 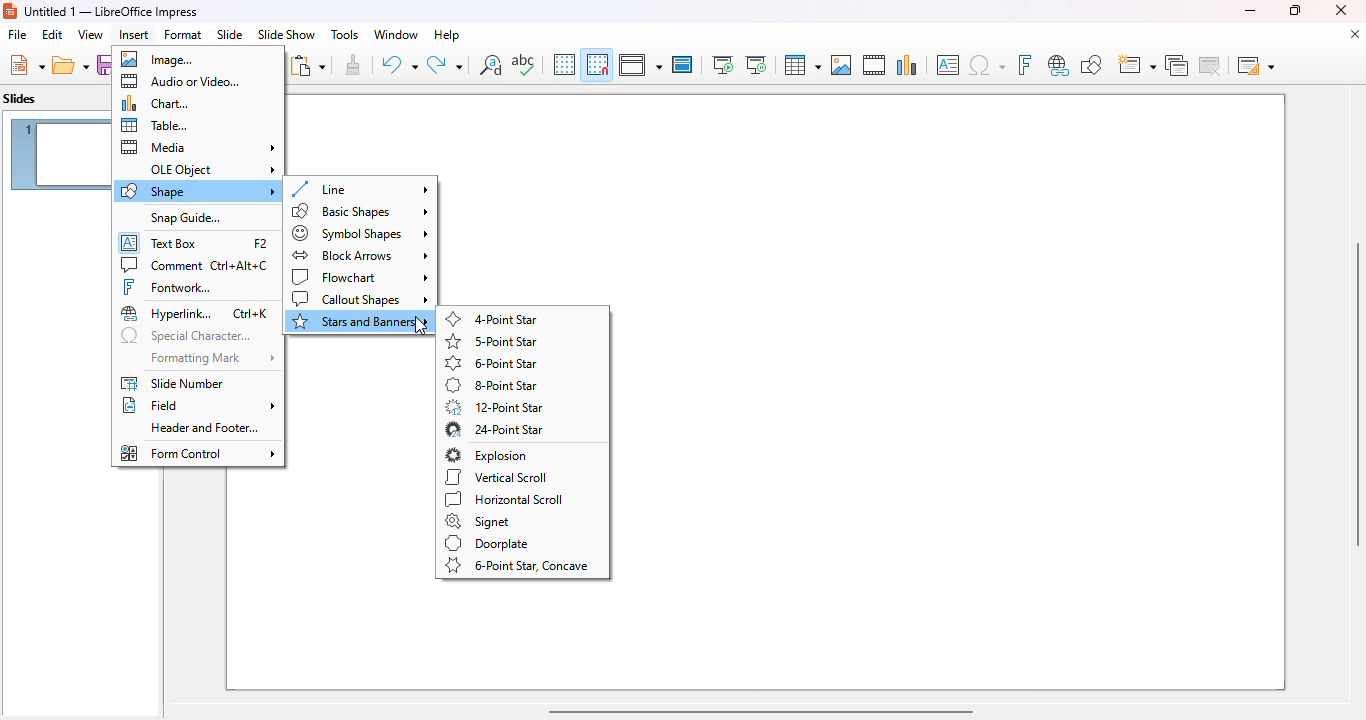 I want to click on insert, so click(x=134, y=35).